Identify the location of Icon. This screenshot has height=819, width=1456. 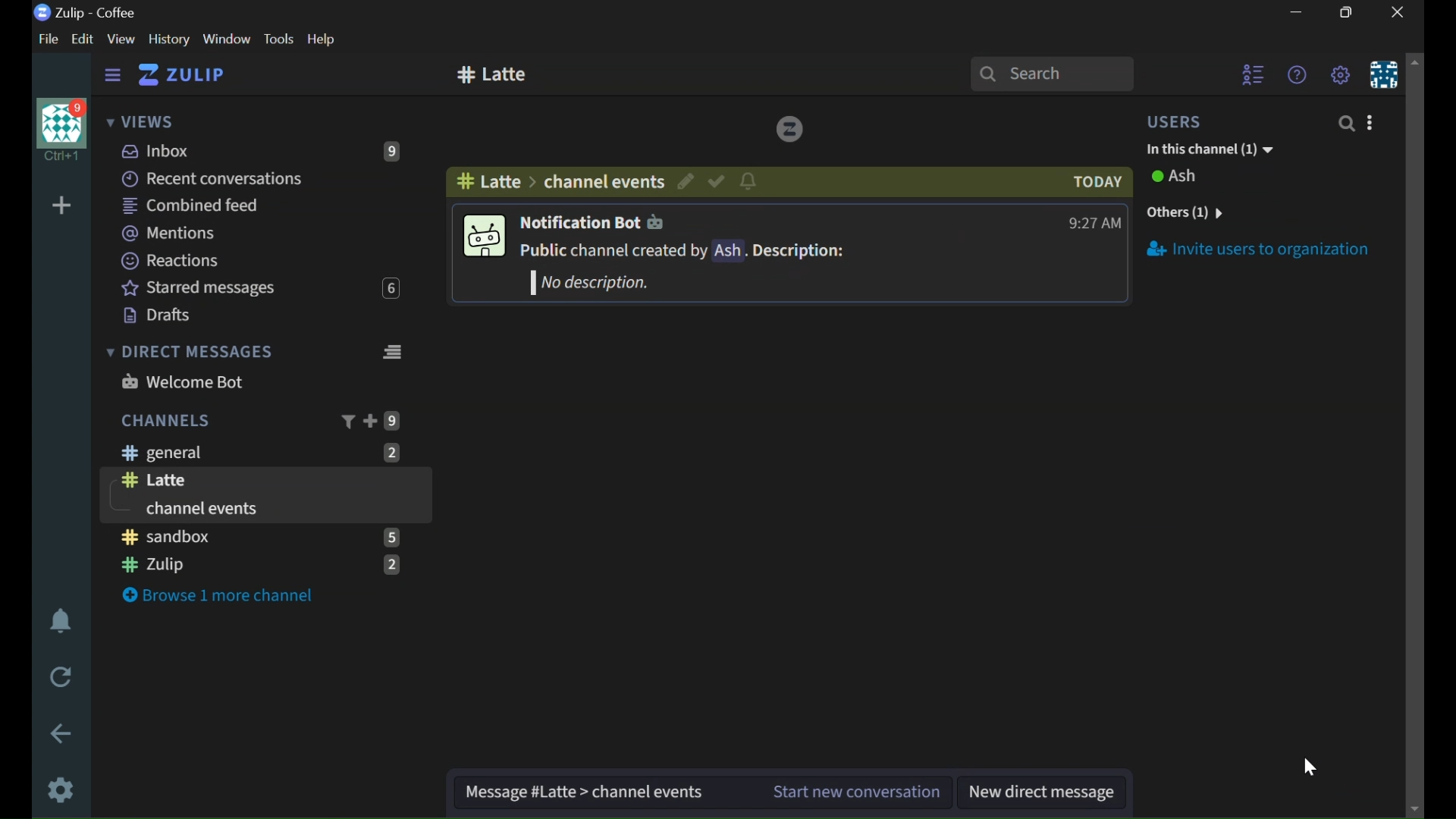
(482, 238).